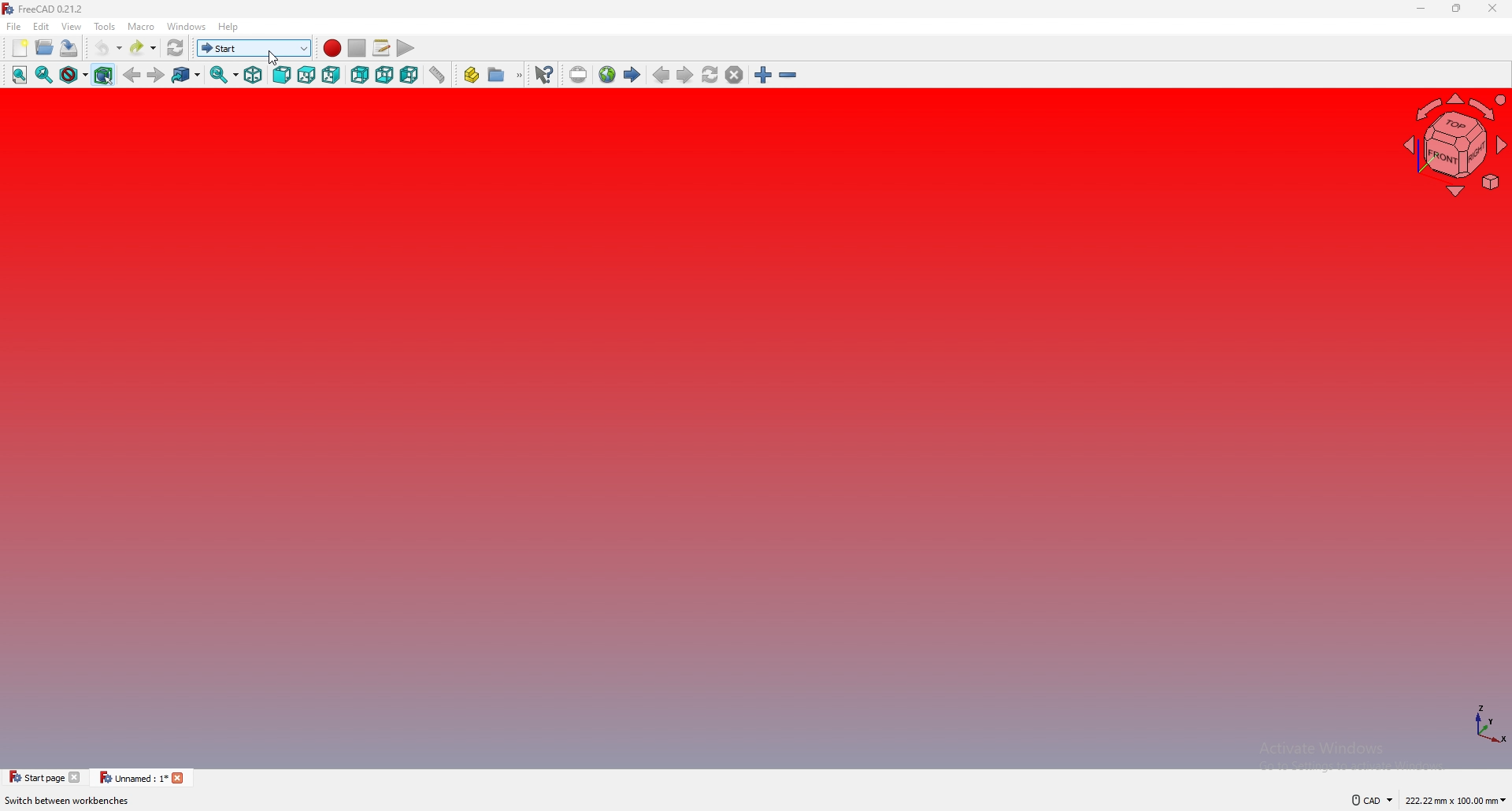 This screenshot has width=1512, height=811. I want to click on front, so click(282, 75).